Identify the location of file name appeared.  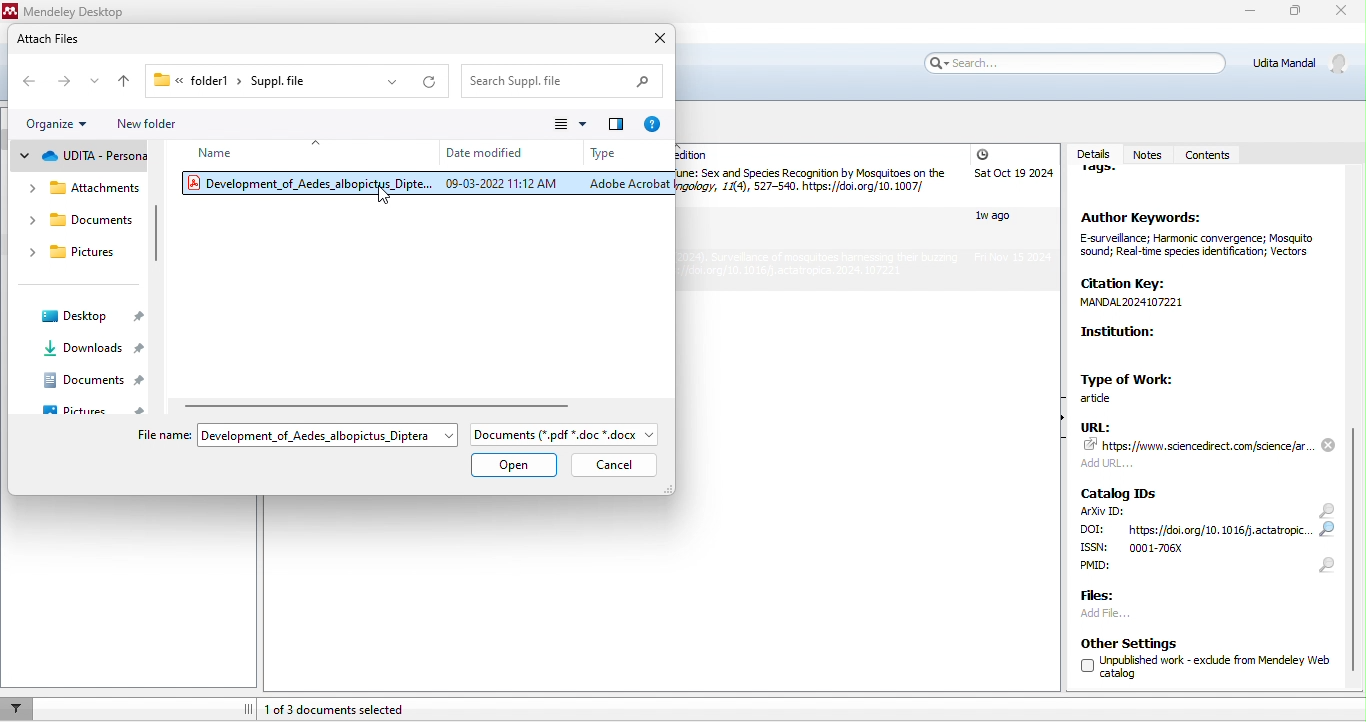
(309, 434).